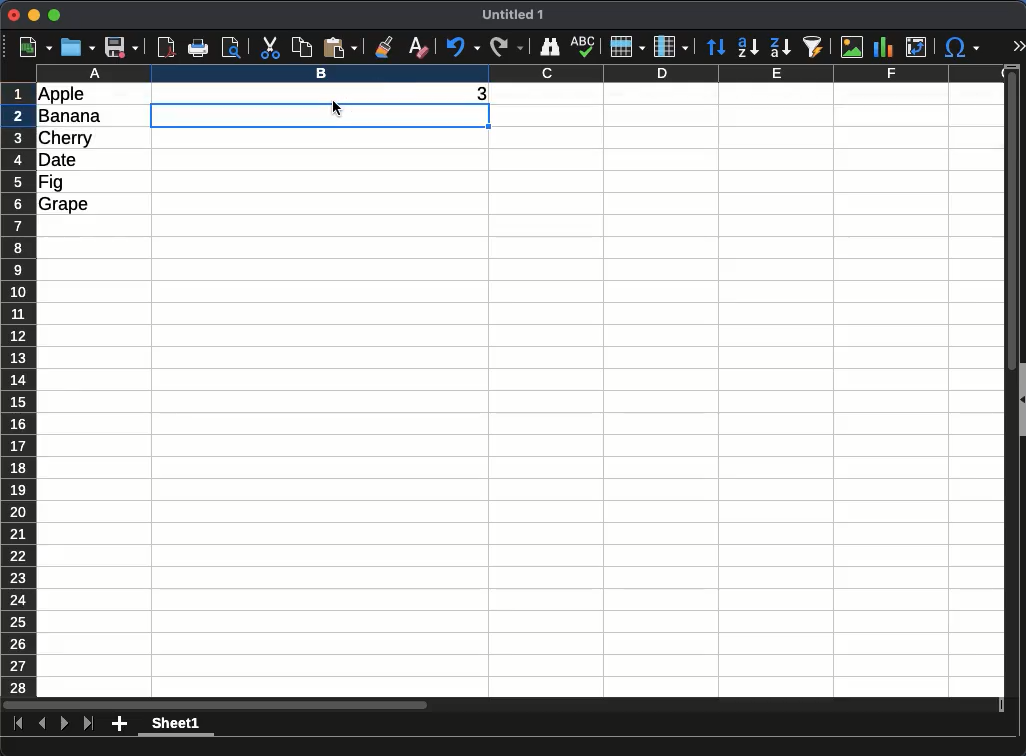 This screenshot has width=1026, height=756. I want to click on banana, so click(70, 116).